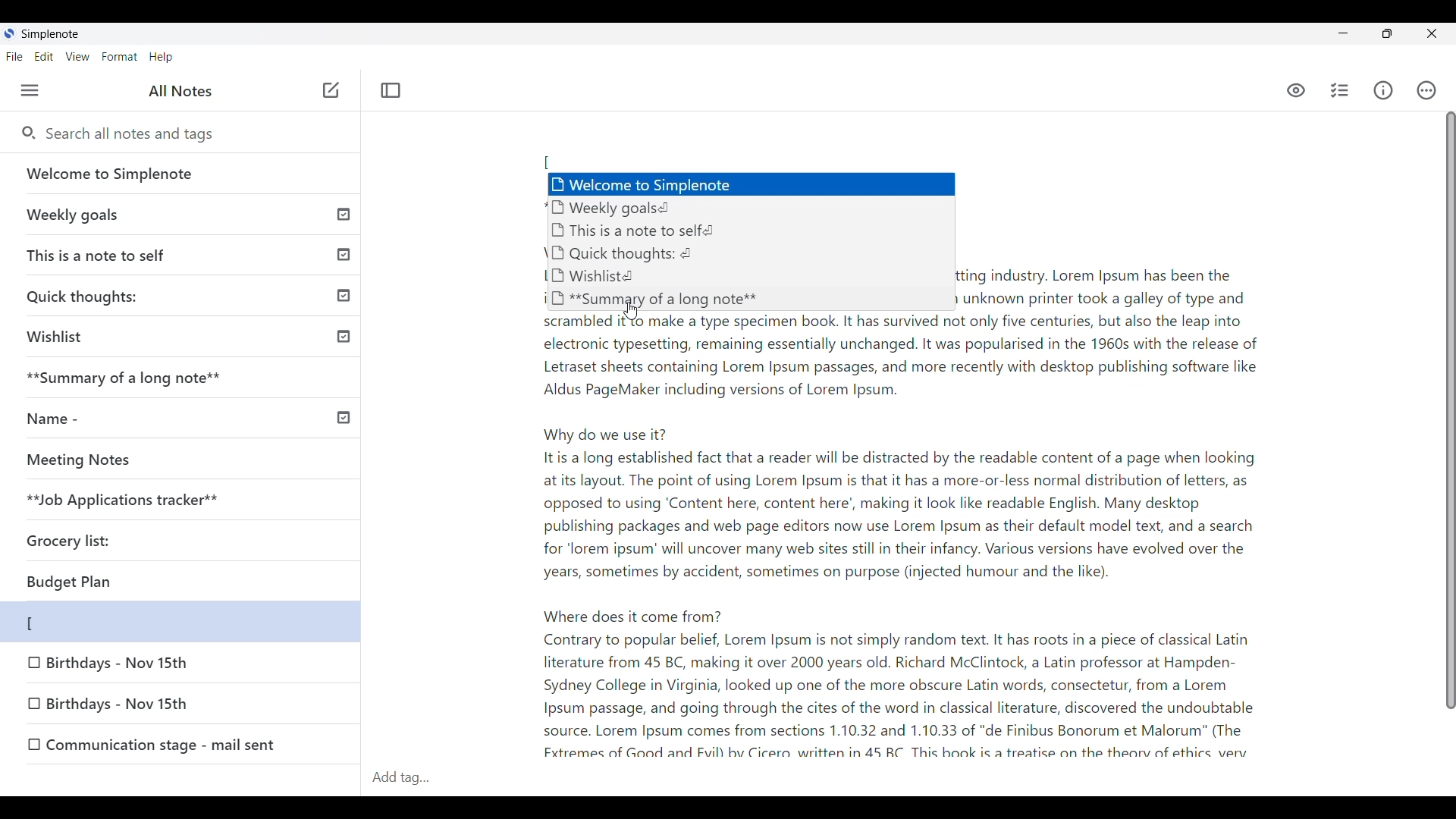 The image size is (1456, 819). I want to click on Weekly goals, so click(181, 214).